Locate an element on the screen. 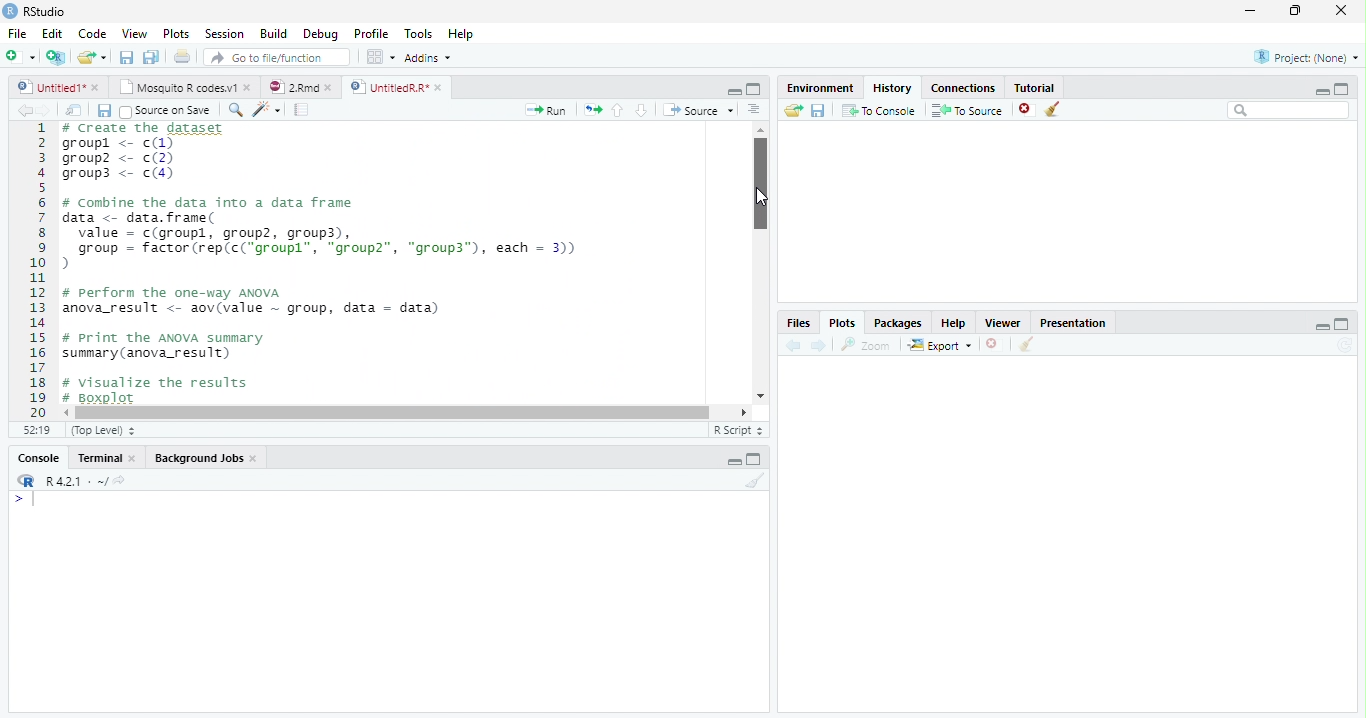 Image resolution: width=1366 pixels, height=718 pixels. Maximize is located at coordinates (755, 461).